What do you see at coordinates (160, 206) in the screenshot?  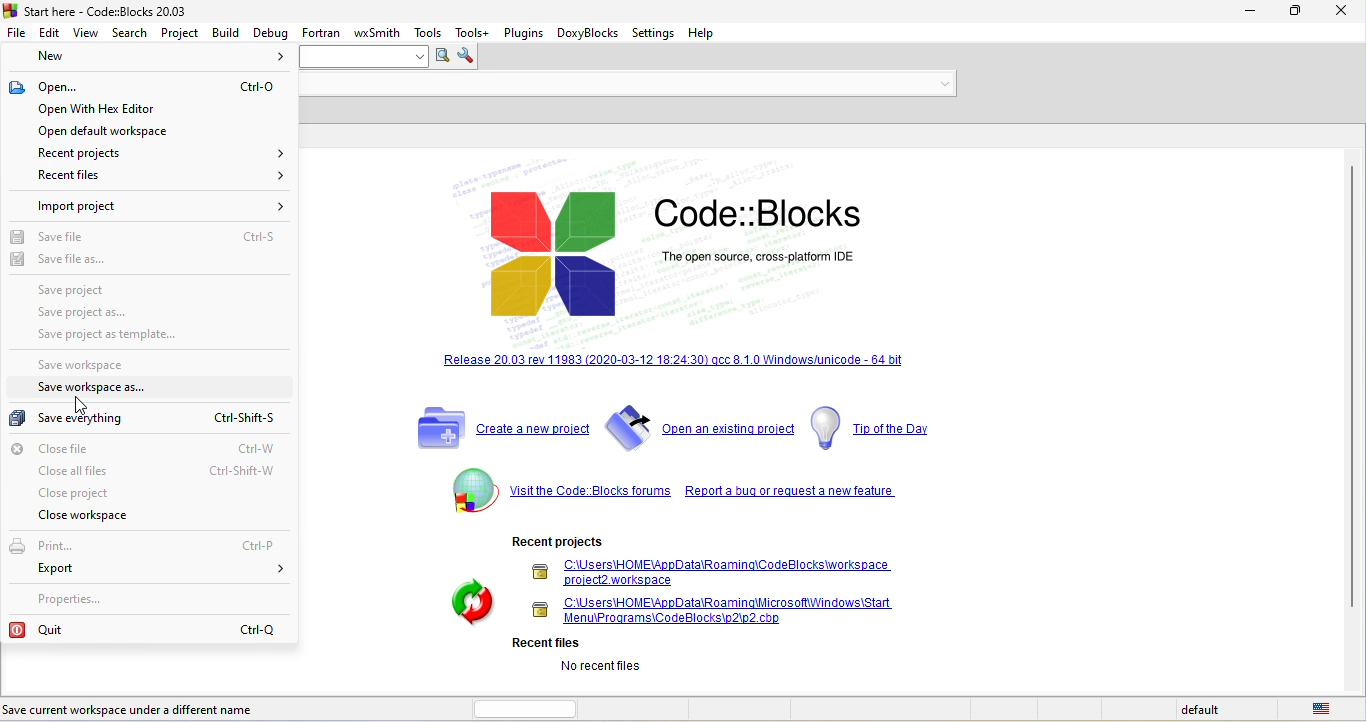 I see `import project` at bounding box center [160, 206].